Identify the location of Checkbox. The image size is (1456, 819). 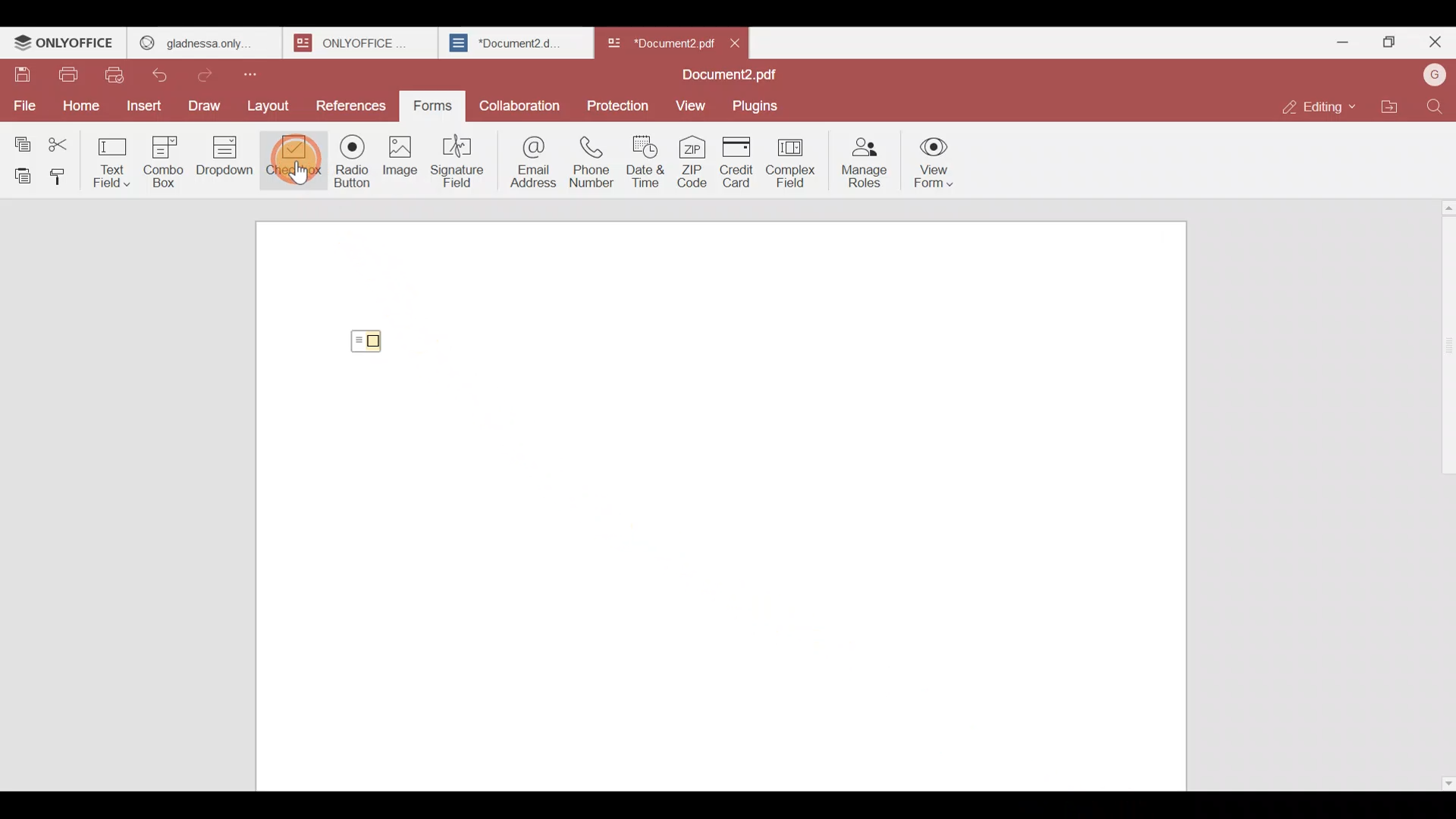
(292, 163).